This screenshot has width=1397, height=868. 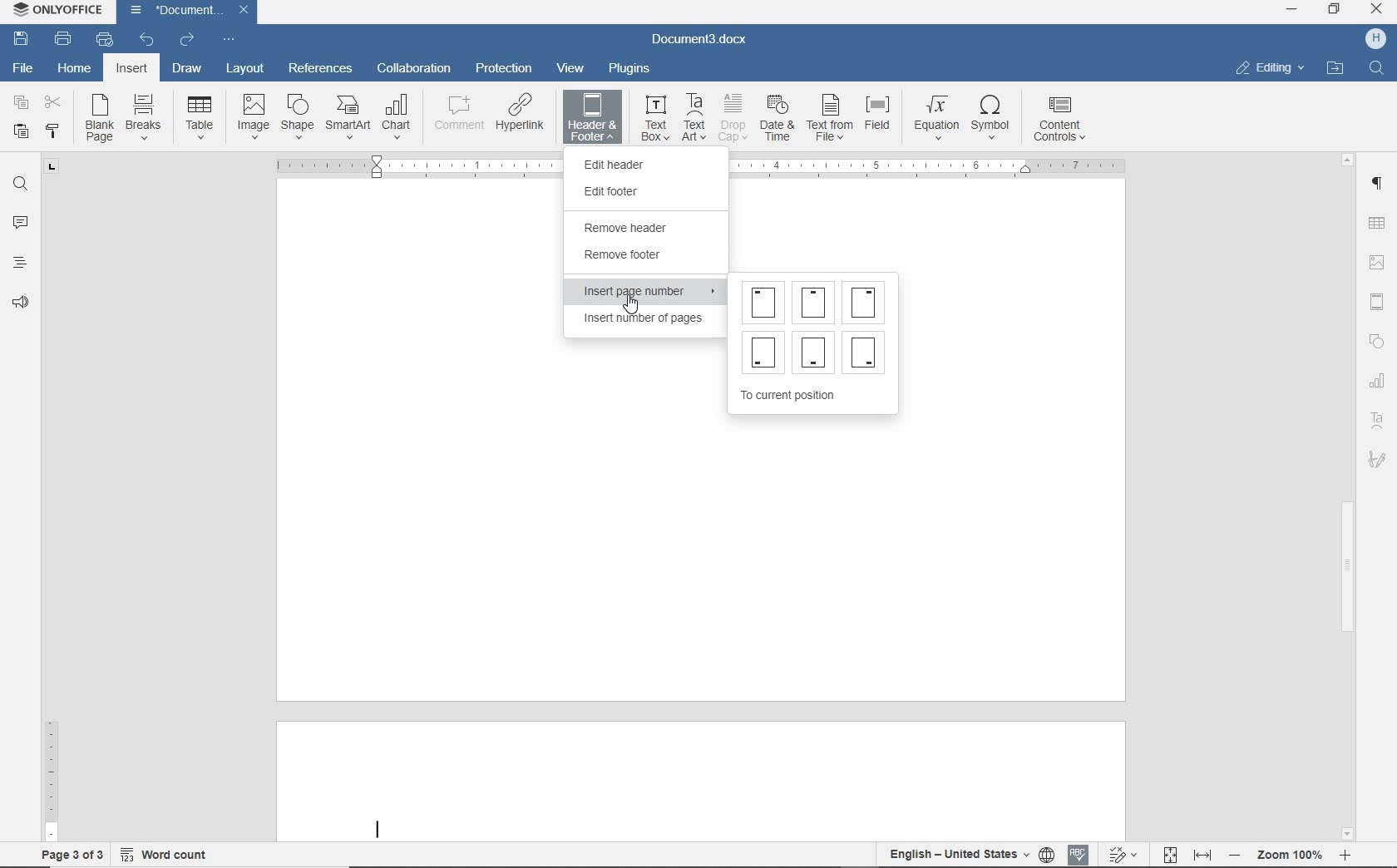 What do you see at coordinates (1289, 855) in the screenshot?
I see `Zoom 100%` at bounding box center [1289, 855].